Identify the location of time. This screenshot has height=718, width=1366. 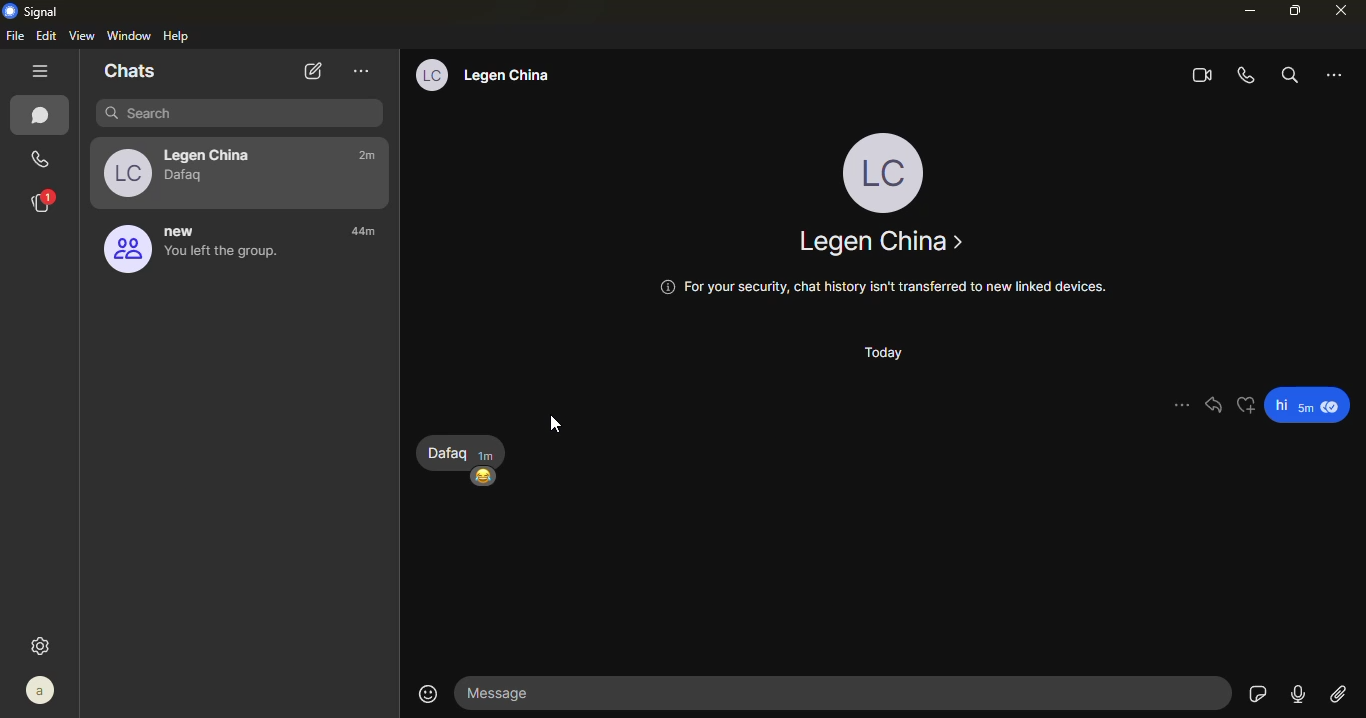
(373, 234).